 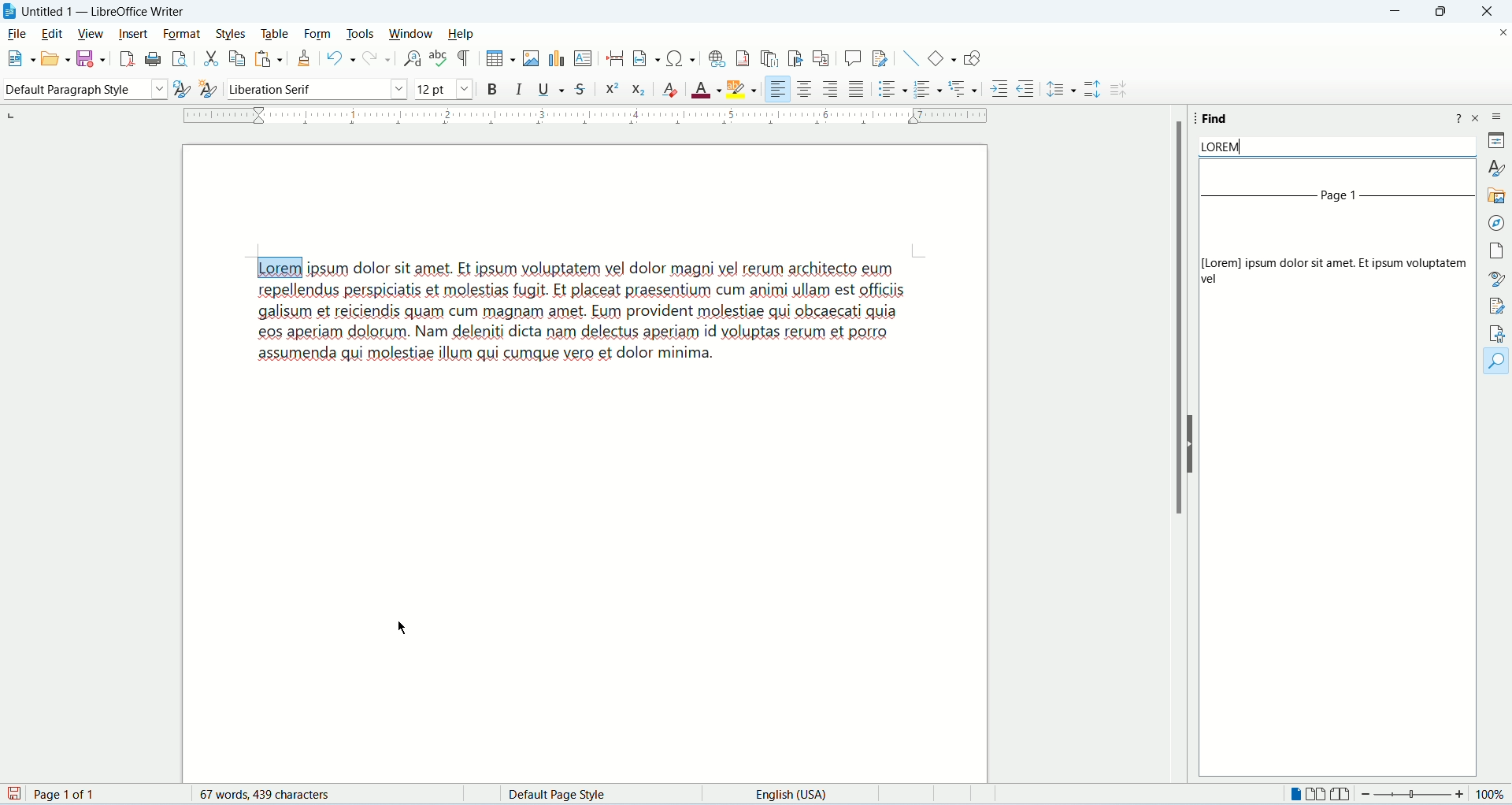 I want to click on page number, so click(x=1341, y=202).